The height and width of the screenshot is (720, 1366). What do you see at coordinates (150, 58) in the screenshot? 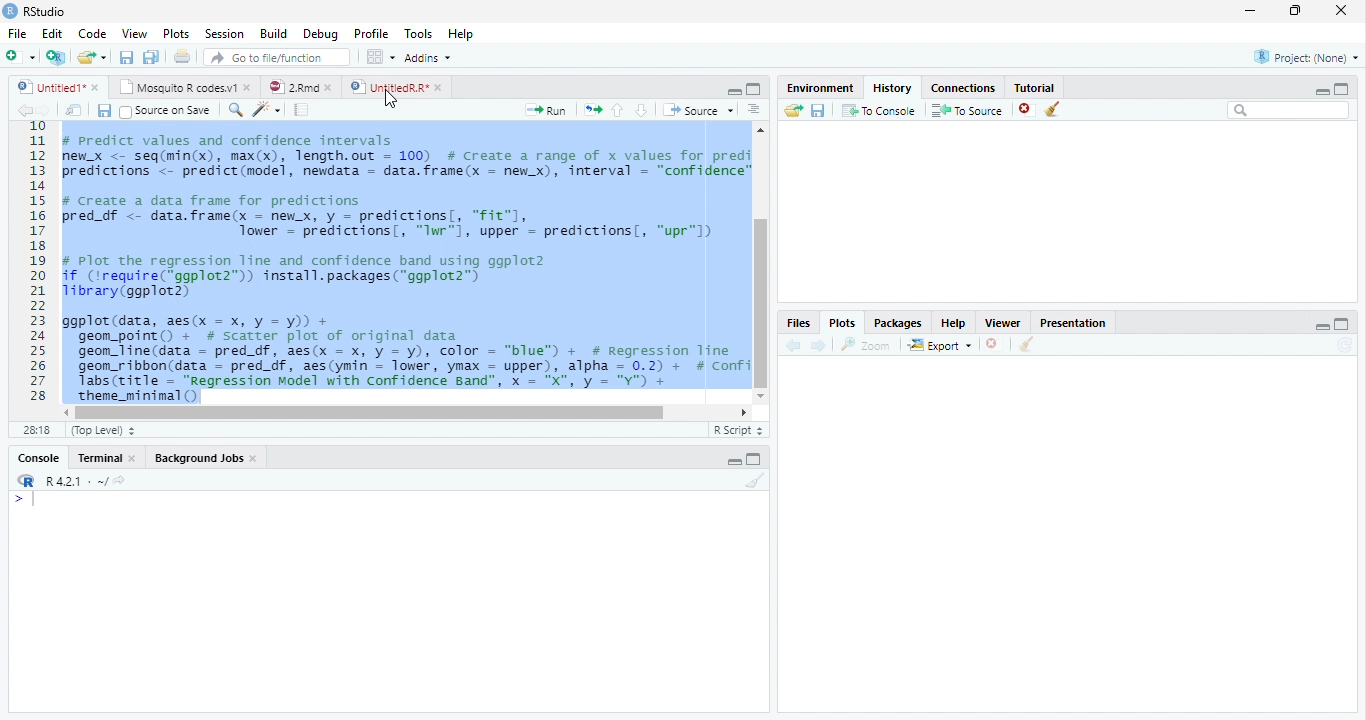
I see `Save all file` at bounding box center [150, 58].